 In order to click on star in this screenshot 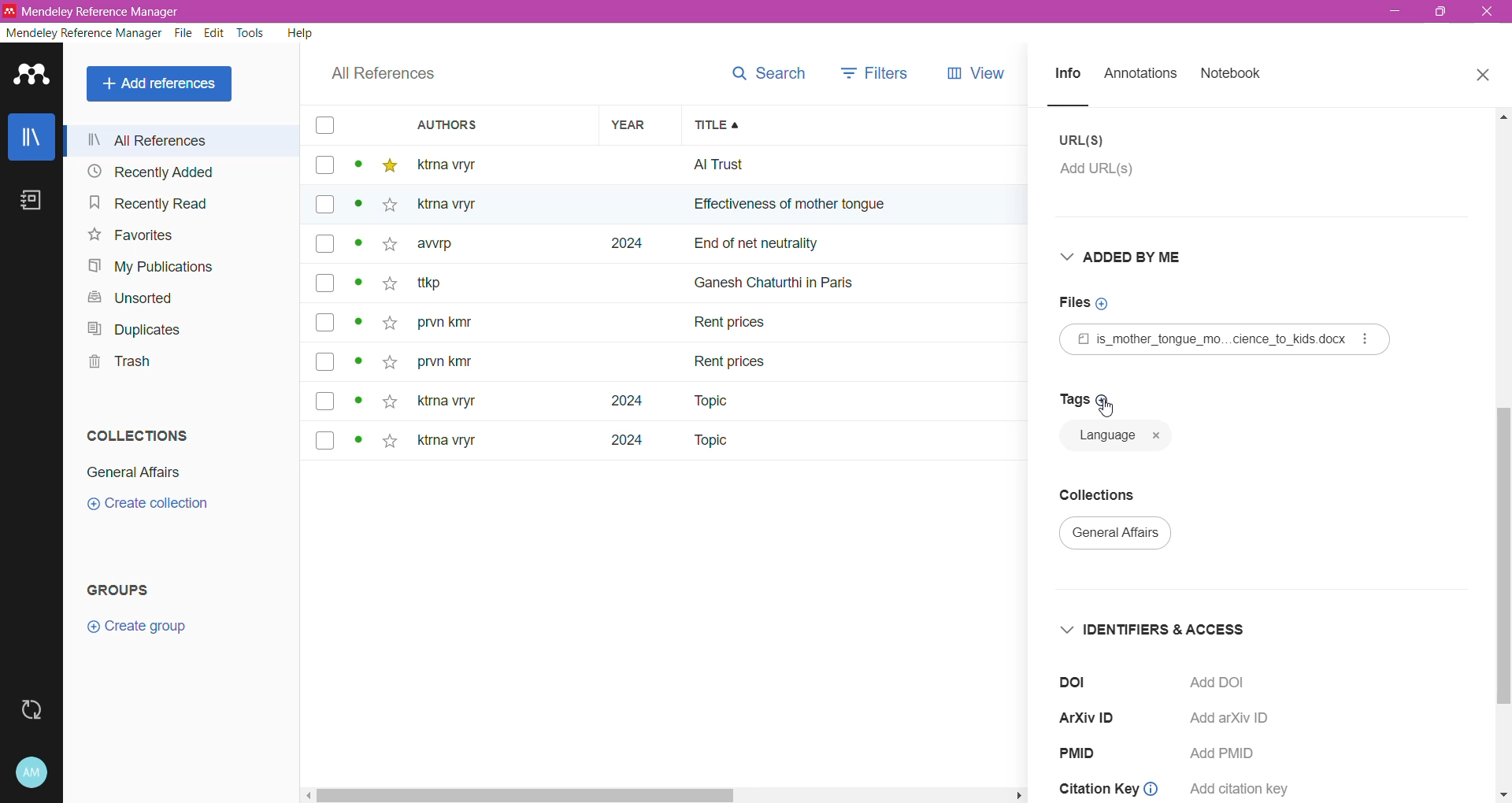, I will do `click(387, 287)`.